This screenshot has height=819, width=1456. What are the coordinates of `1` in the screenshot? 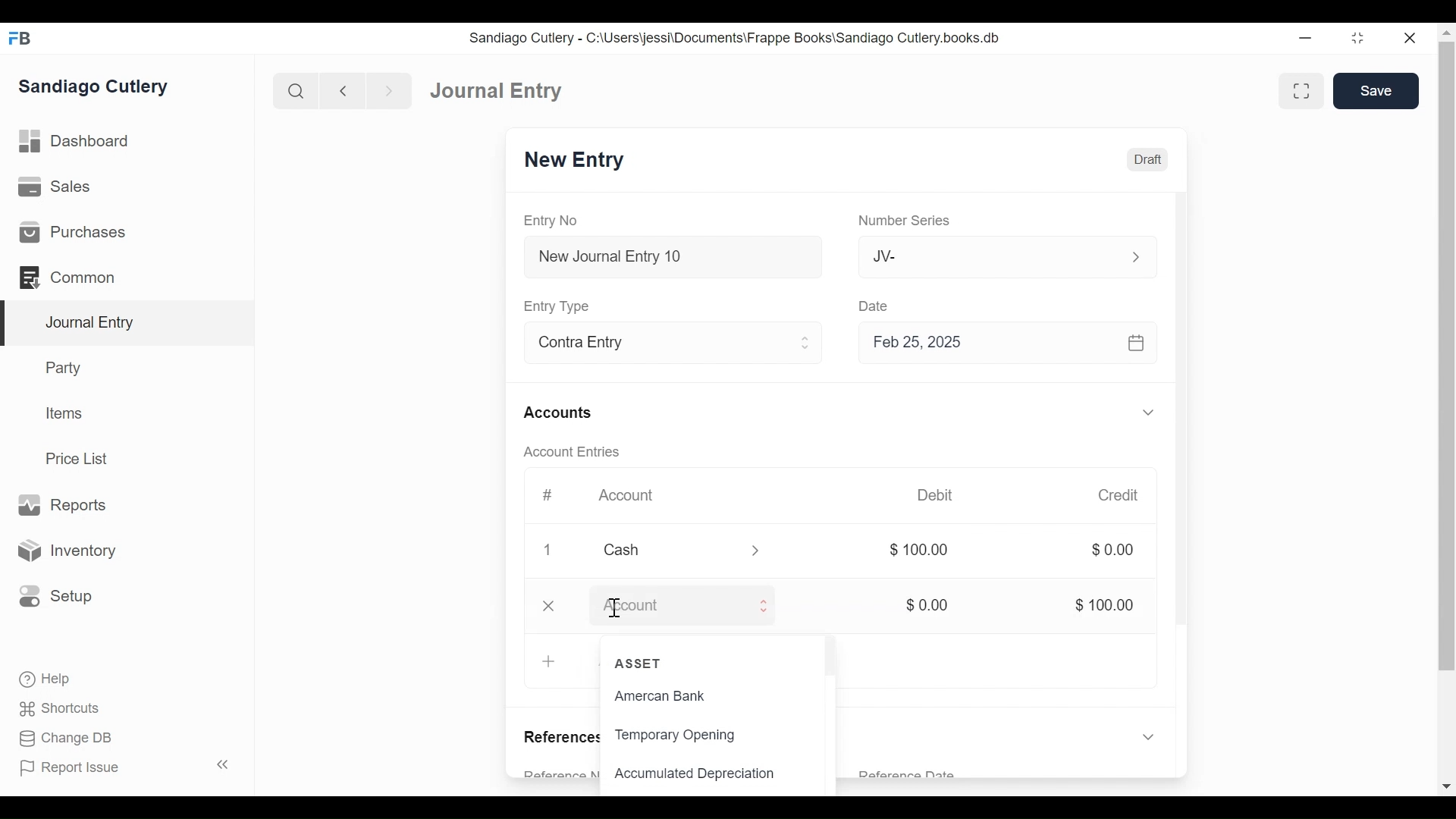 It's located at (548, 551).